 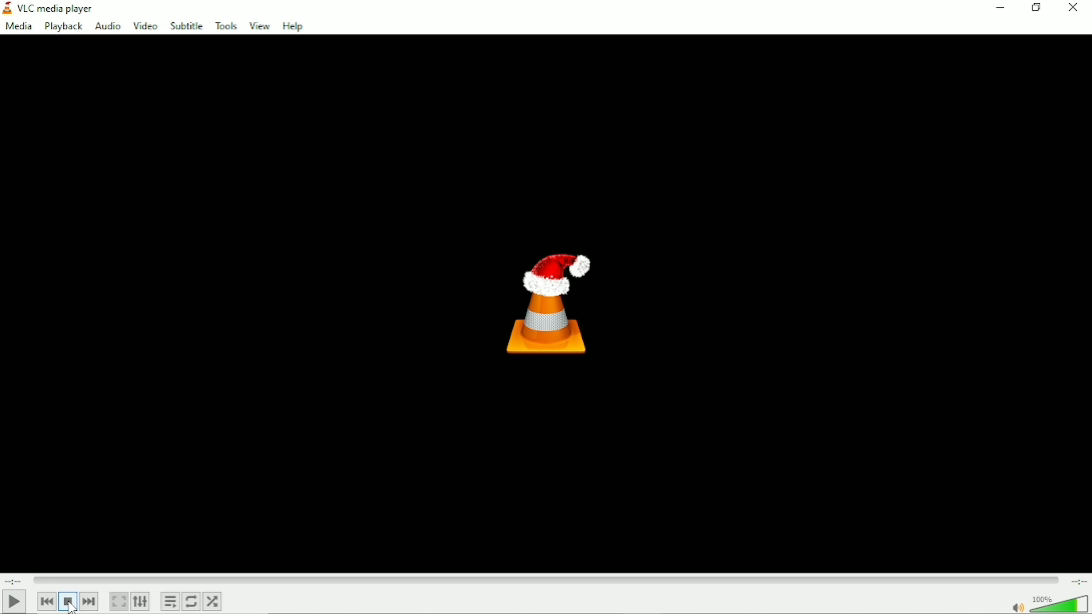 I want to click on Help, so click(x=295, y=27).